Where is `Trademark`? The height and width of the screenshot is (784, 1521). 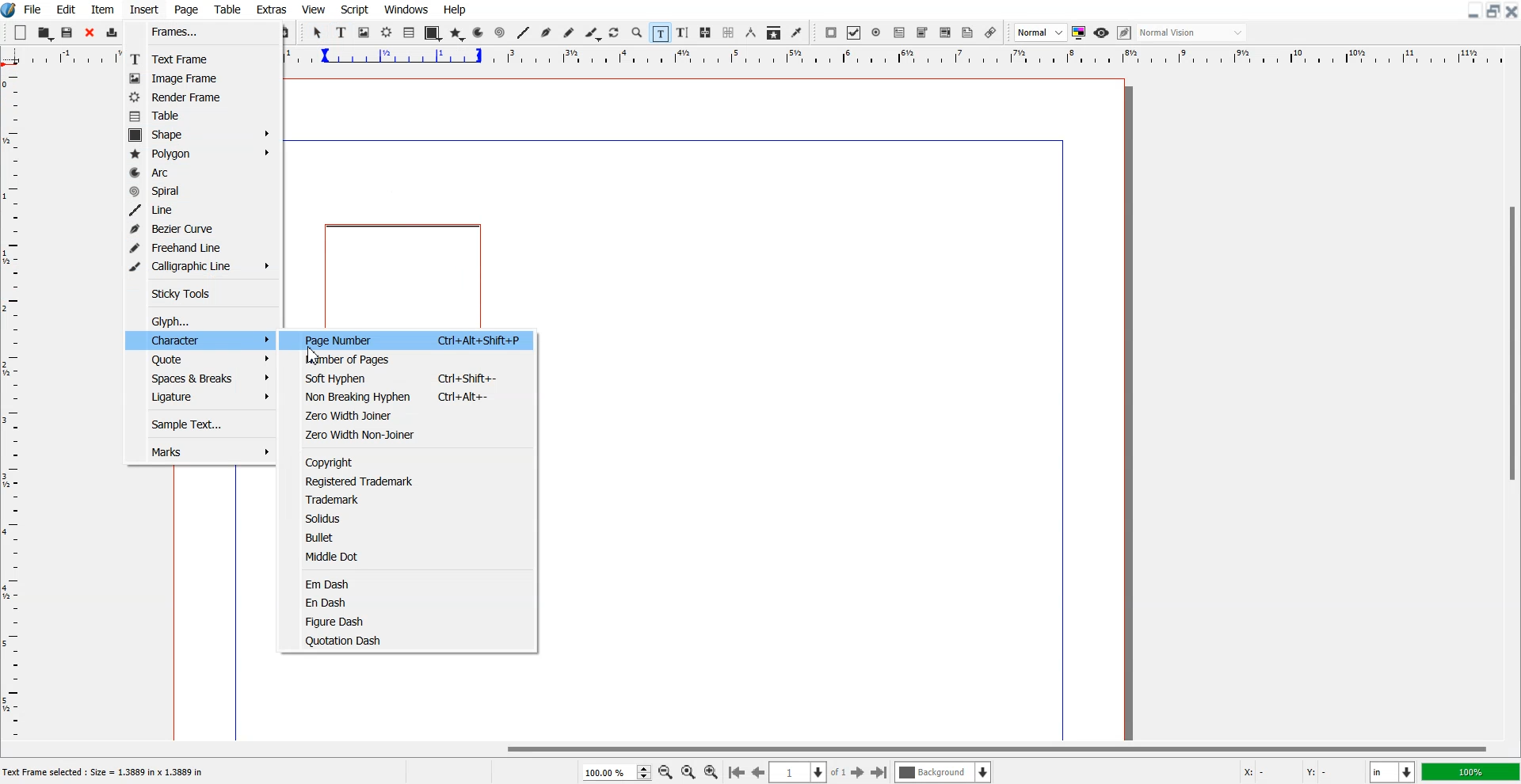 Trademark is located at coordinates (413, 500).